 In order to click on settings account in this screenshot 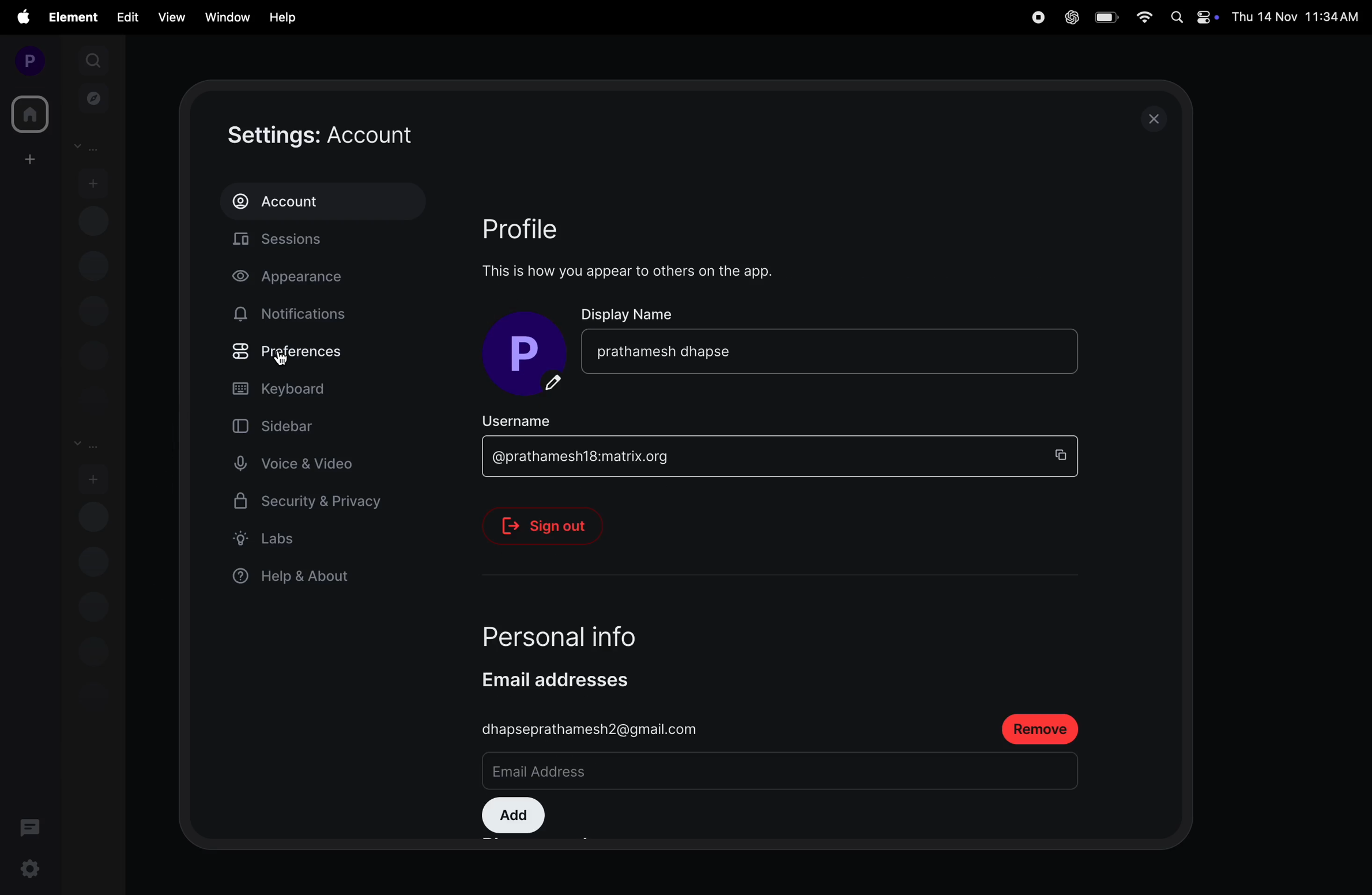, I will do `click(345, 132)`.